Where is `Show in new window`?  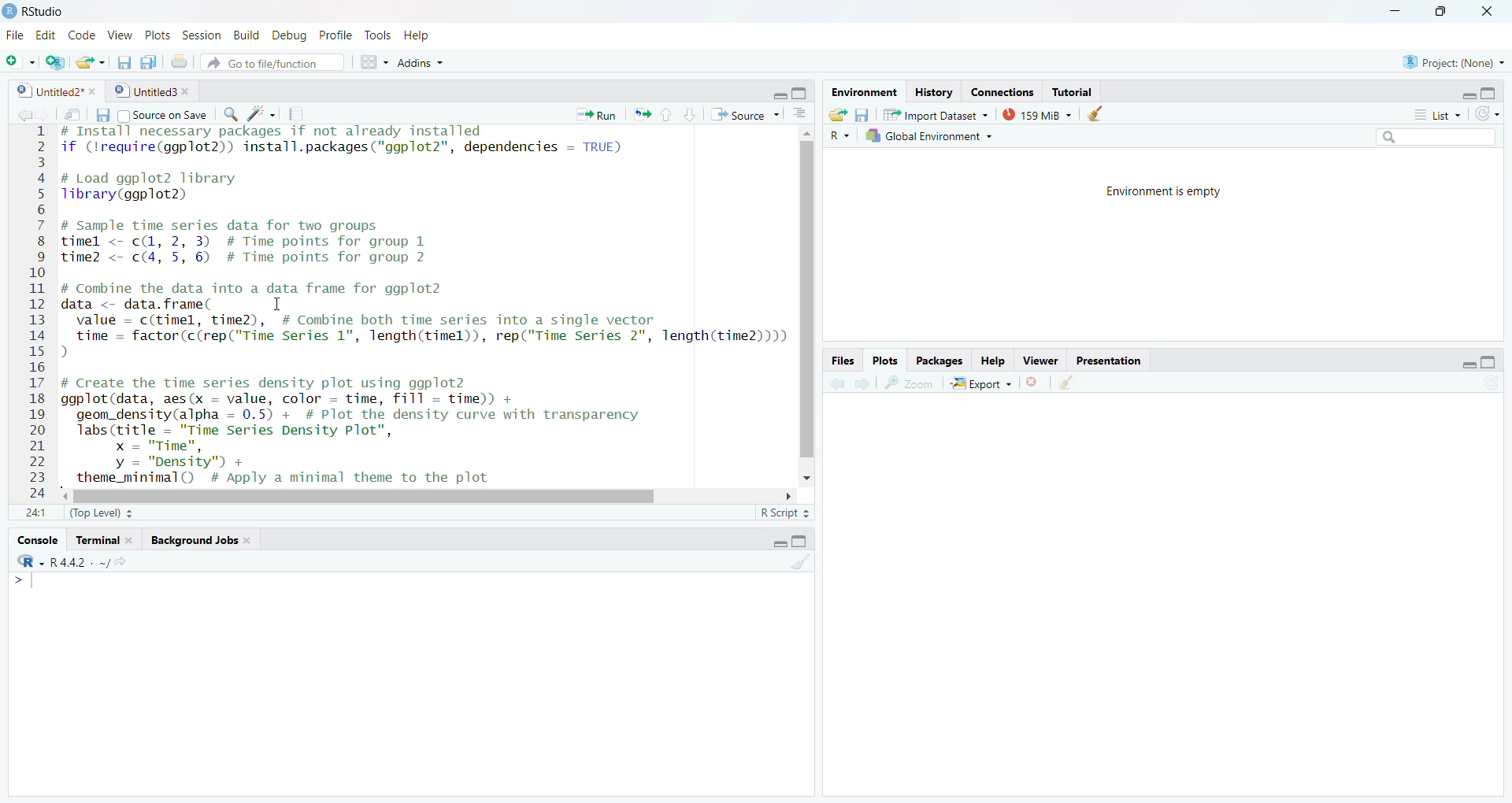 Show in new window is located at coordinates (72, 117).